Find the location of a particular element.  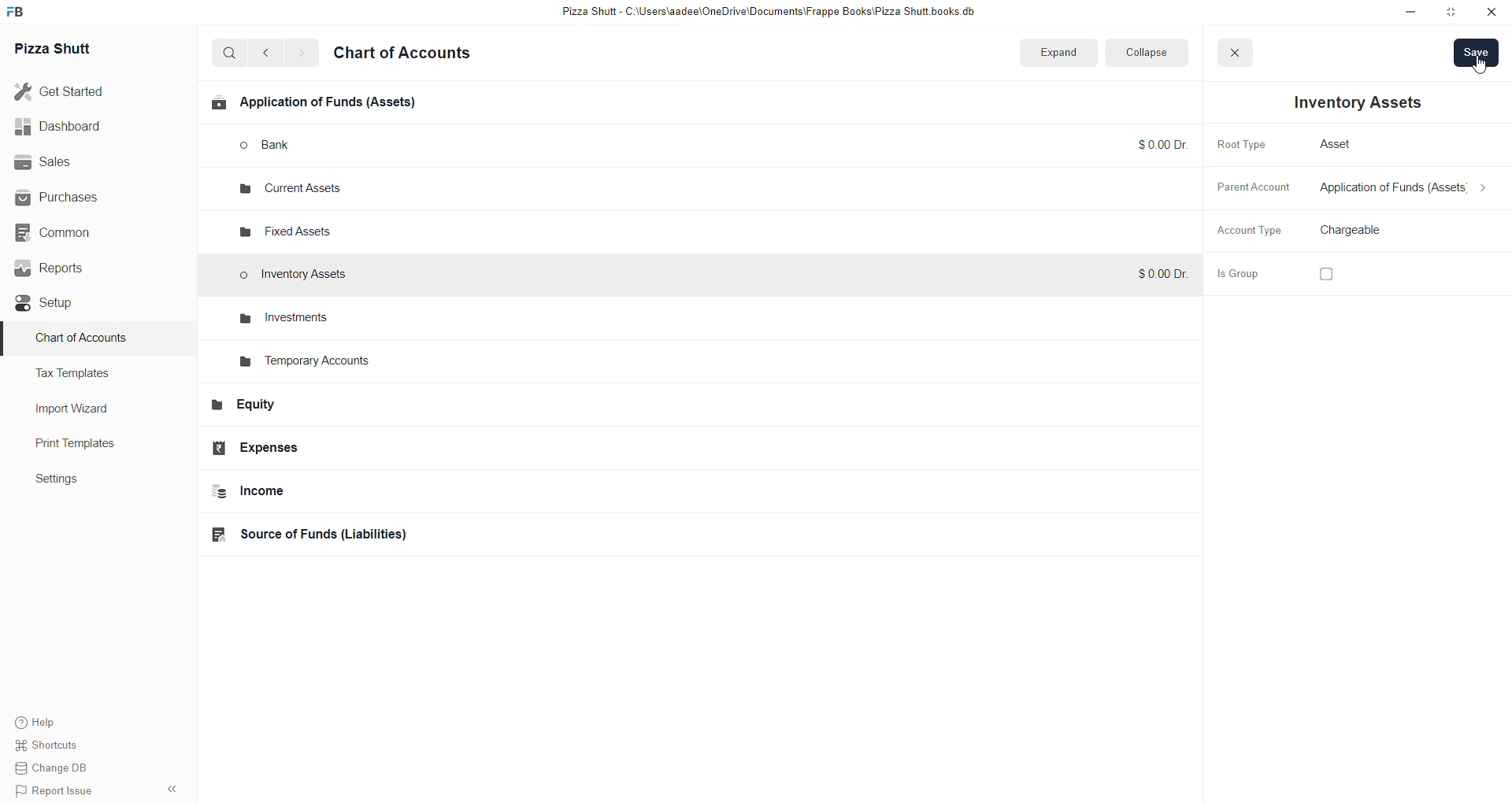

Pizza Shutt is located at coordinates (73, 51).